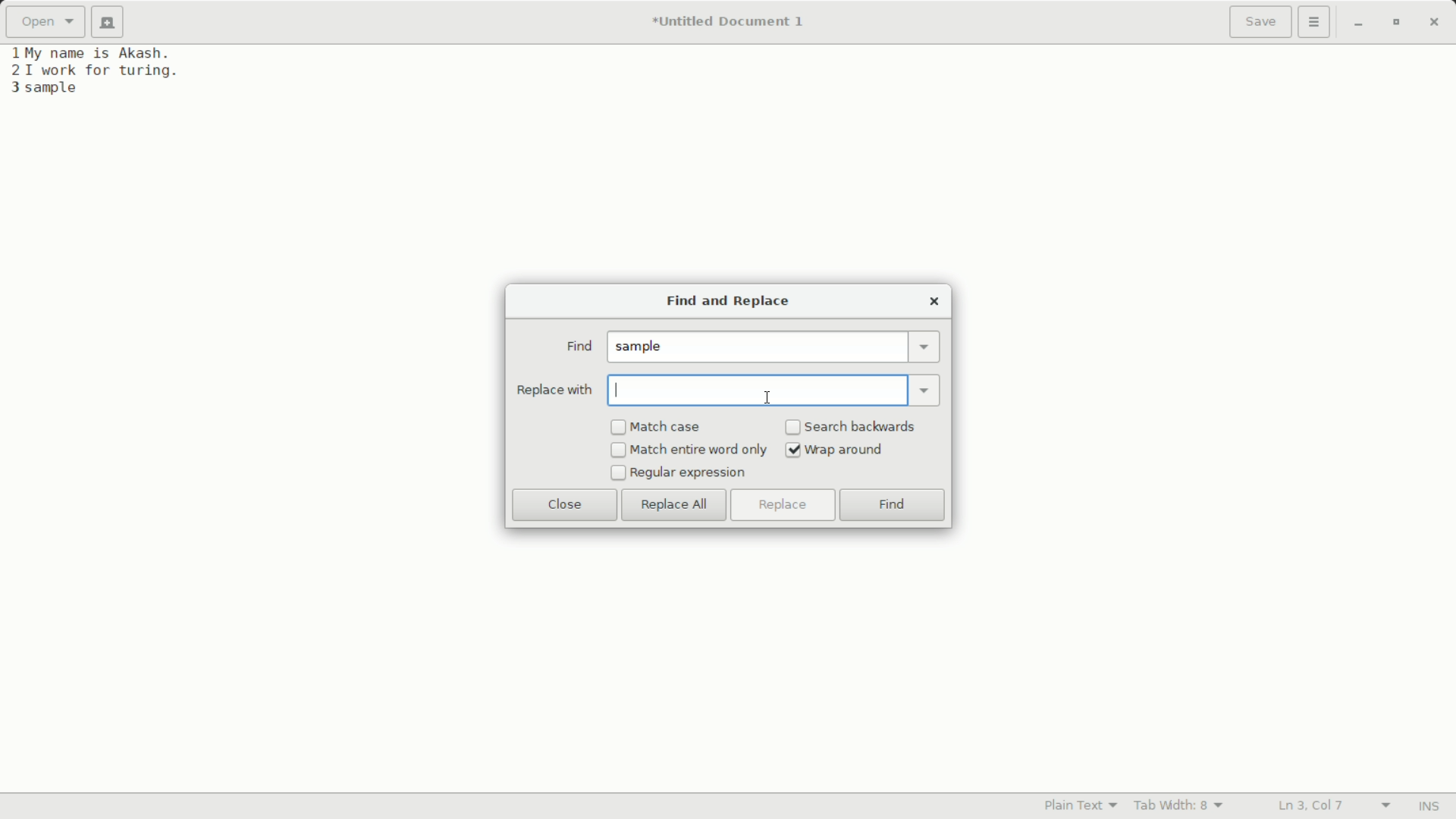 The image size is (1456, 819). I want to click on close app, so click(1434, 22).